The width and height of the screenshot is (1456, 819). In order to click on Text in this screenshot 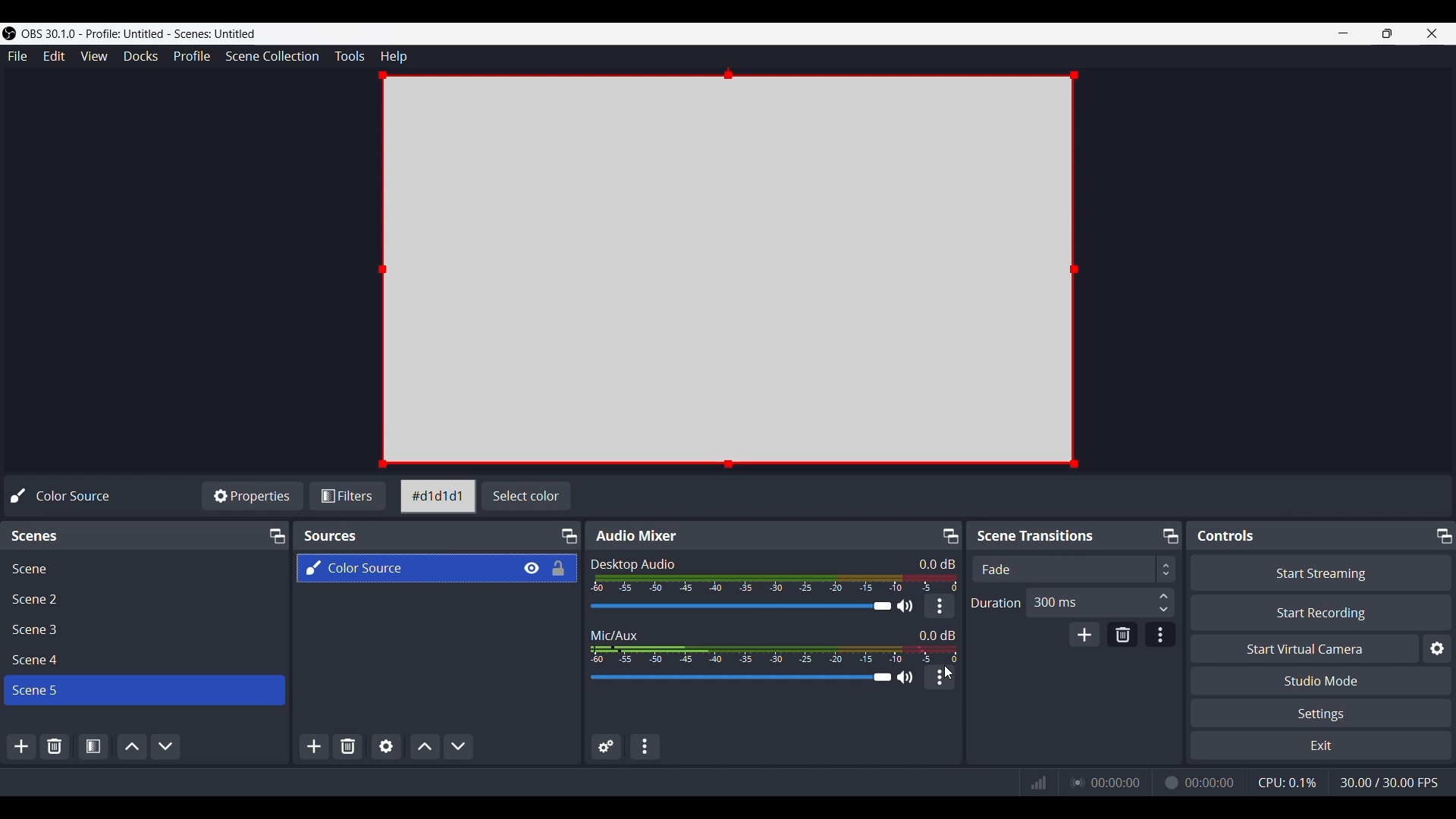, I will do `click(620, 634)`.